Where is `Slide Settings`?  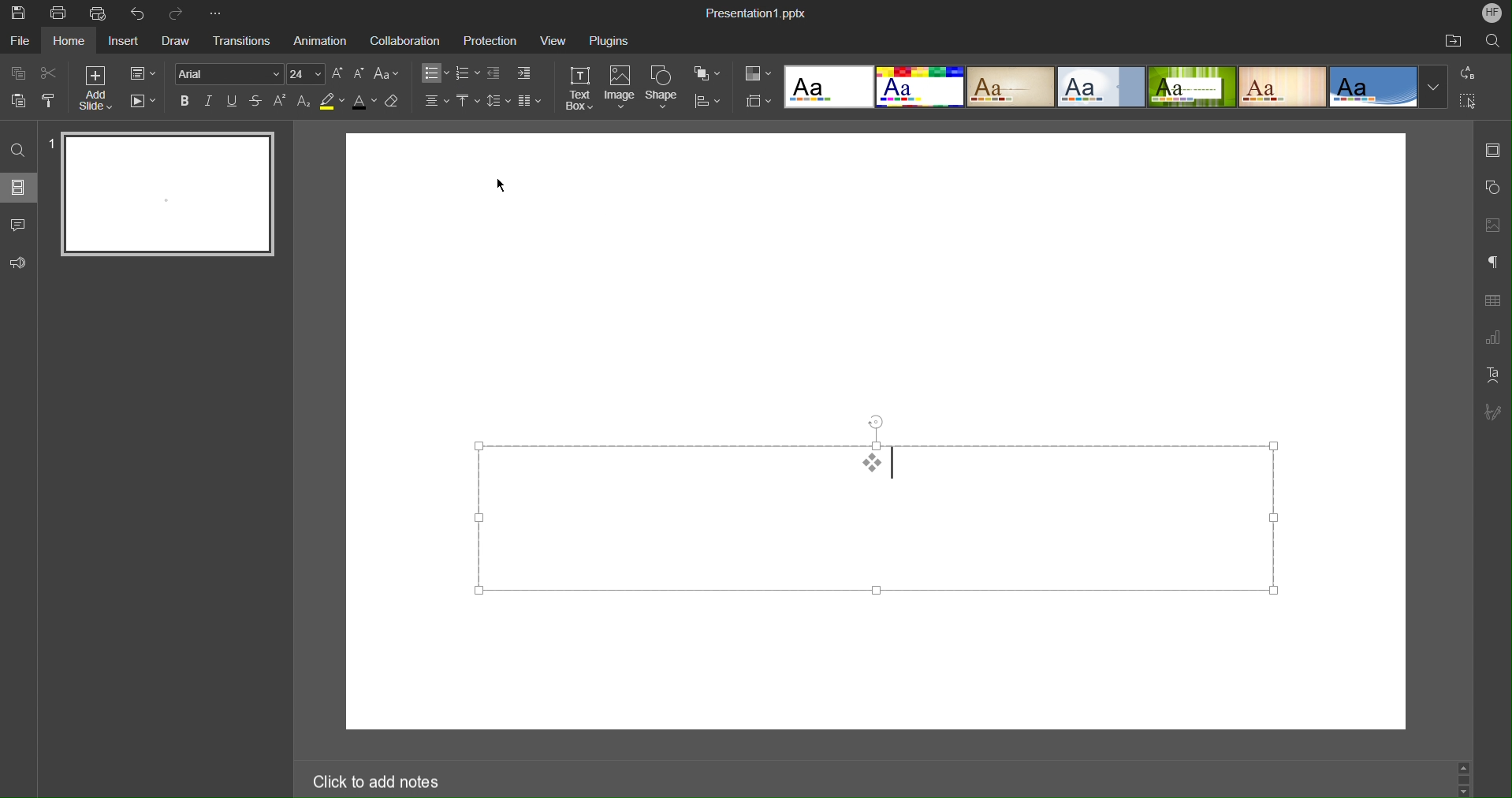 Slide Settings is located at coordinates (1492, 151).